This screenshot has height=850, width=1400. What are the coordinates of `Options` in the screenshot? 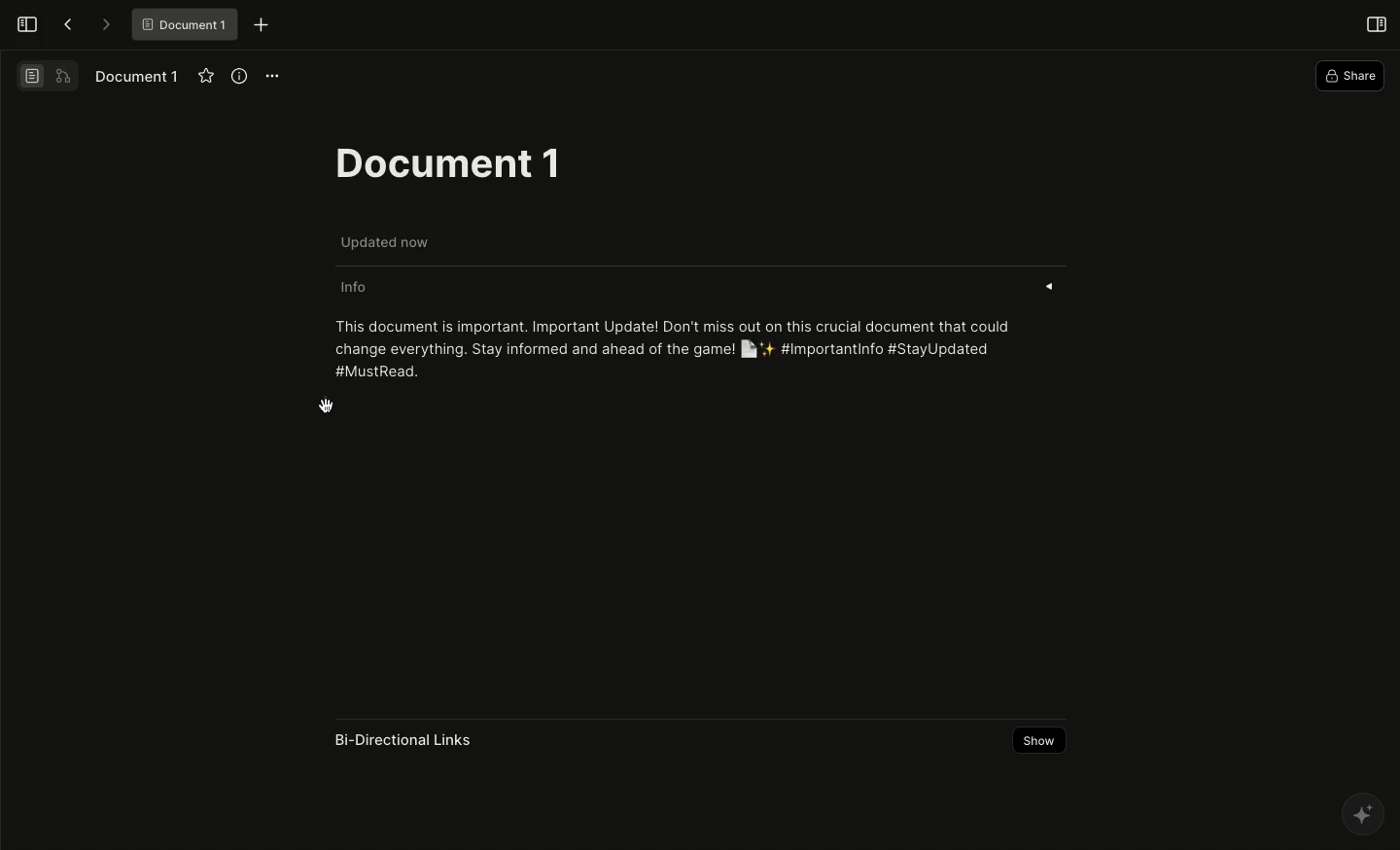 It's located at (273, 77).